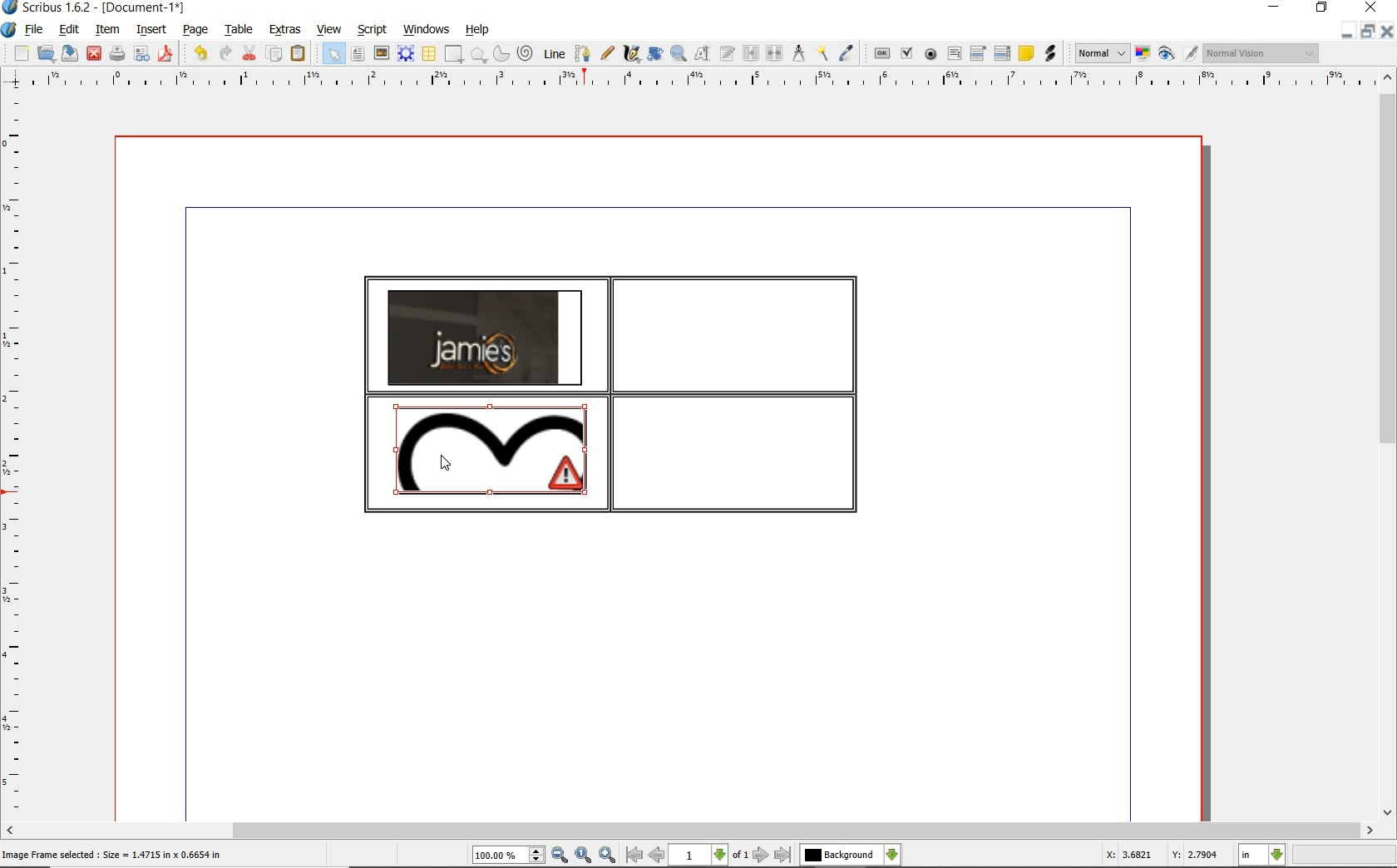 The image size is (1397, 868). Describe the element at coordinates (1002, 53) in the screenshot. I see `PDF List Box` at that location.